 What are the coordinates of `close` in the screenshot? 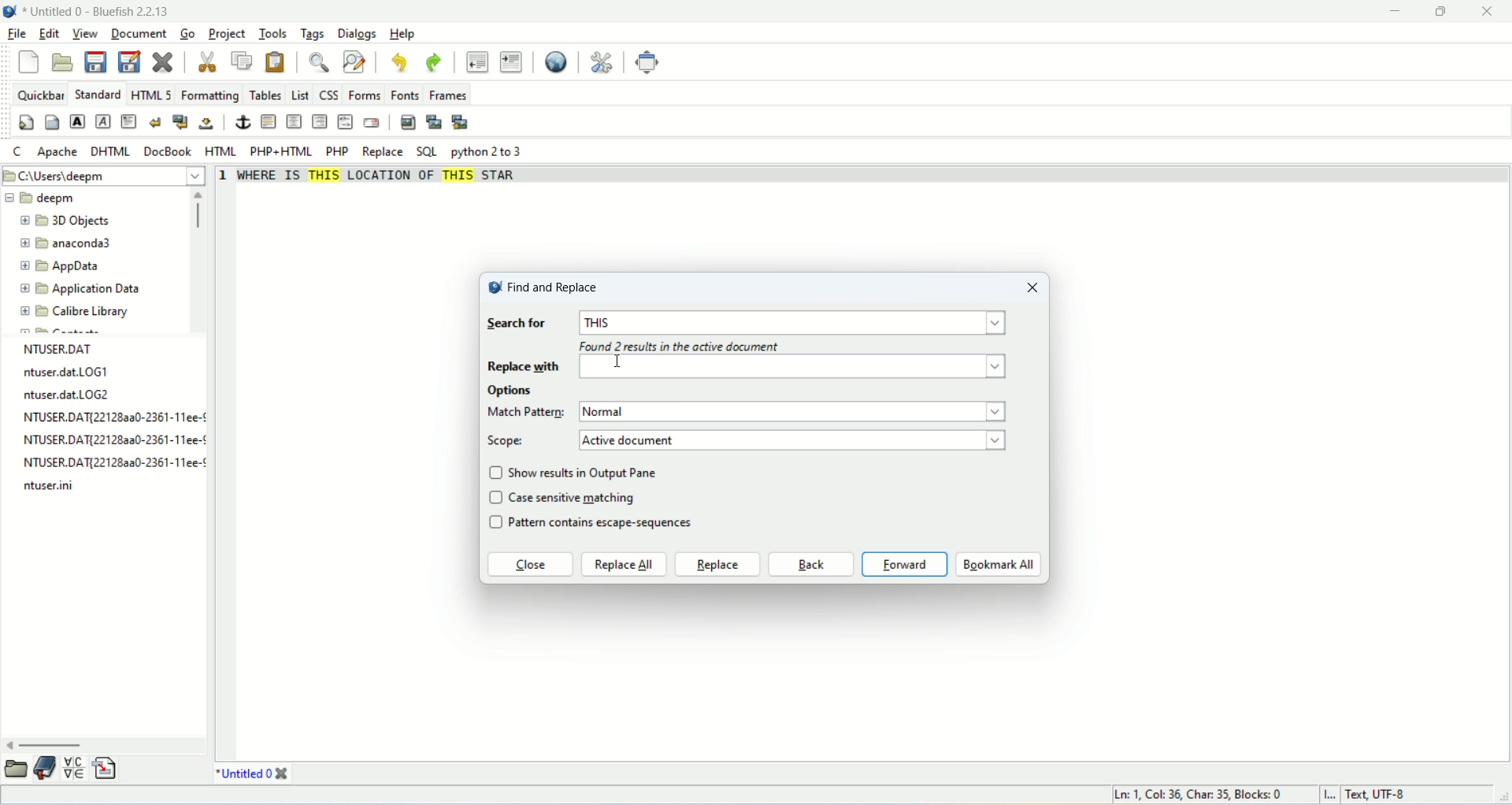 It's located at (529, 566).